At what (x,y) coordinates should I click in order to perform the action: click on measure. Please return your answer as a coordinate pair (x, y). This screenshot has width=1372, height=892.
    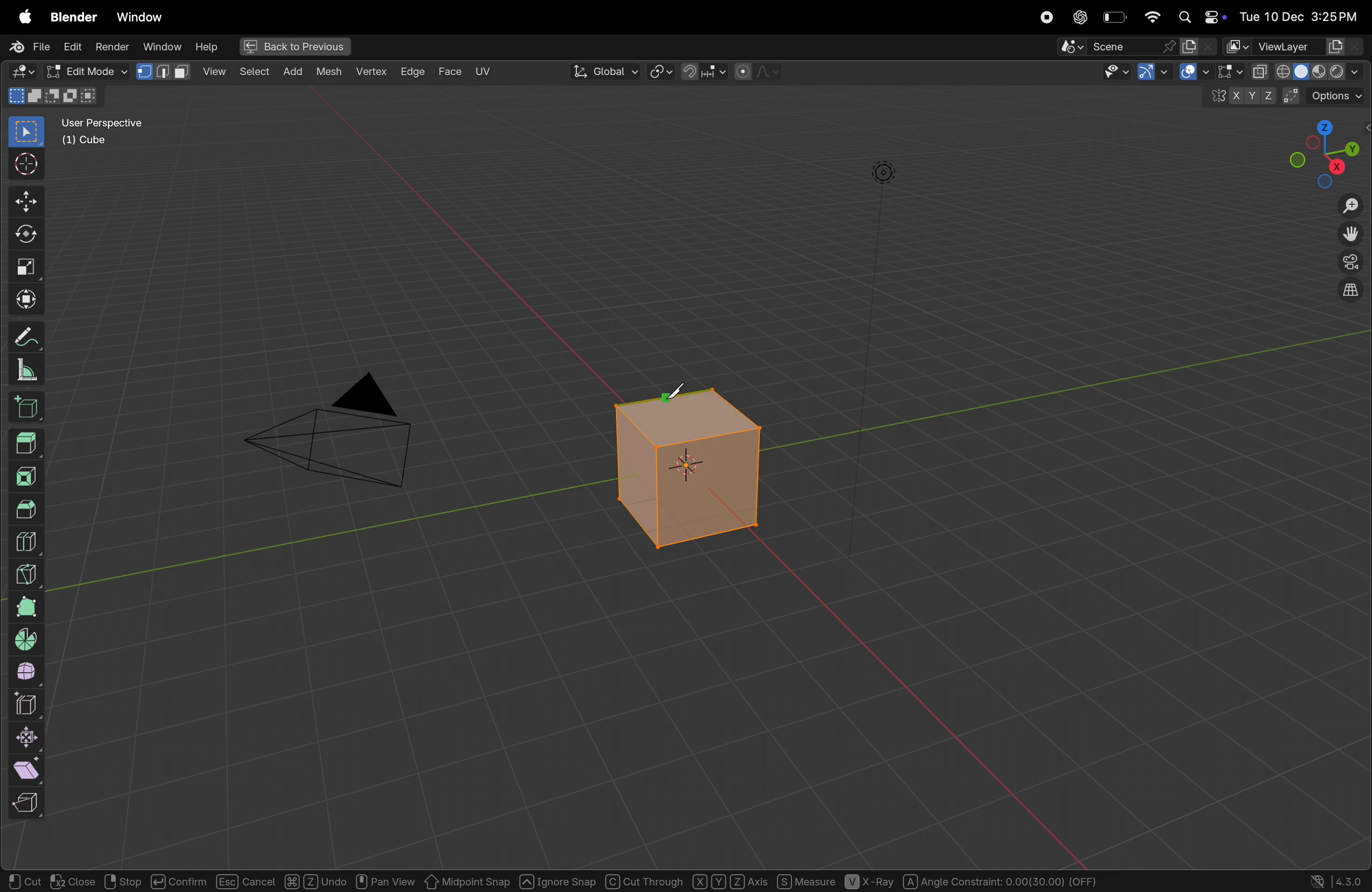
    Looking at the image, I should click on (27, 372).